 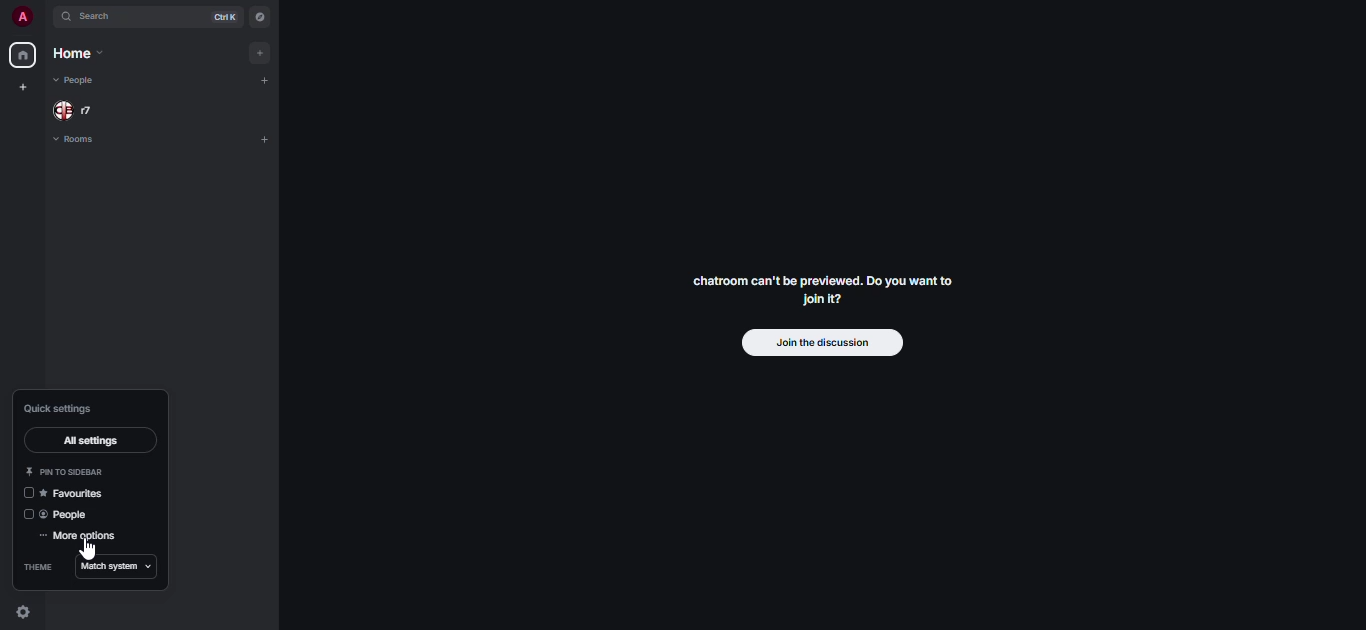 I want to click on people, so click(x=88, y=109).